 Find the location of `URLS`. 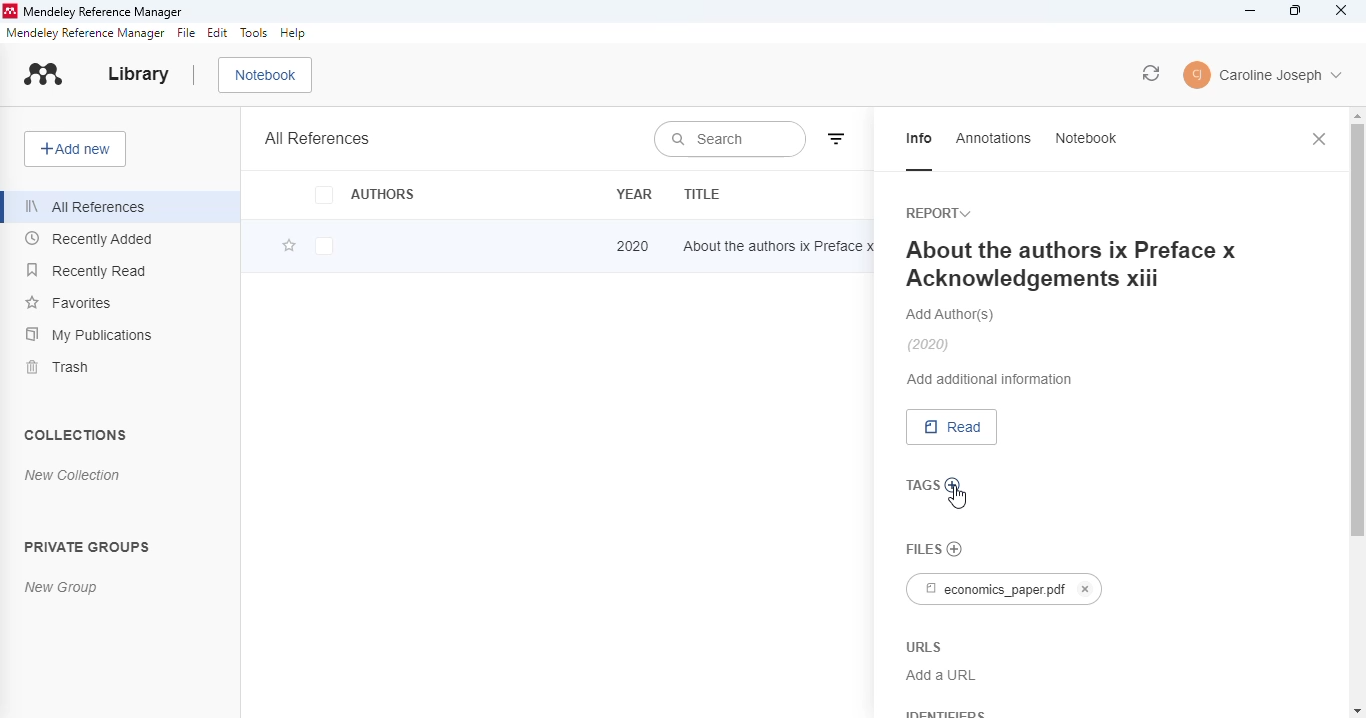

URLS is located at coordinates (922, 647).